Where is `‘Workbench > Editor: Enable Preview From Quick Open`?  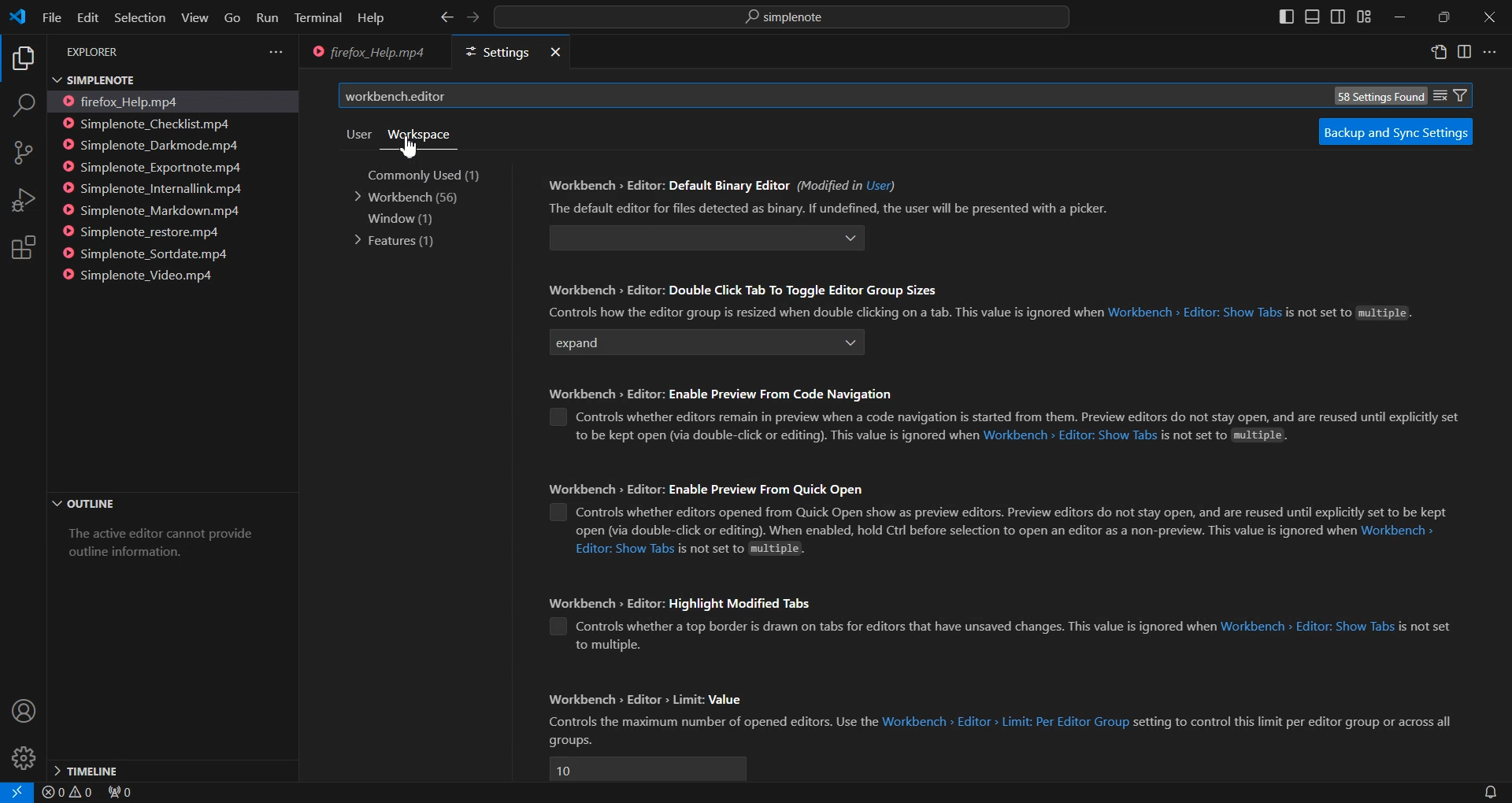 ‘Workbench > Editor: Enable Preview From Quick Open is located at coordinates (708, 487).